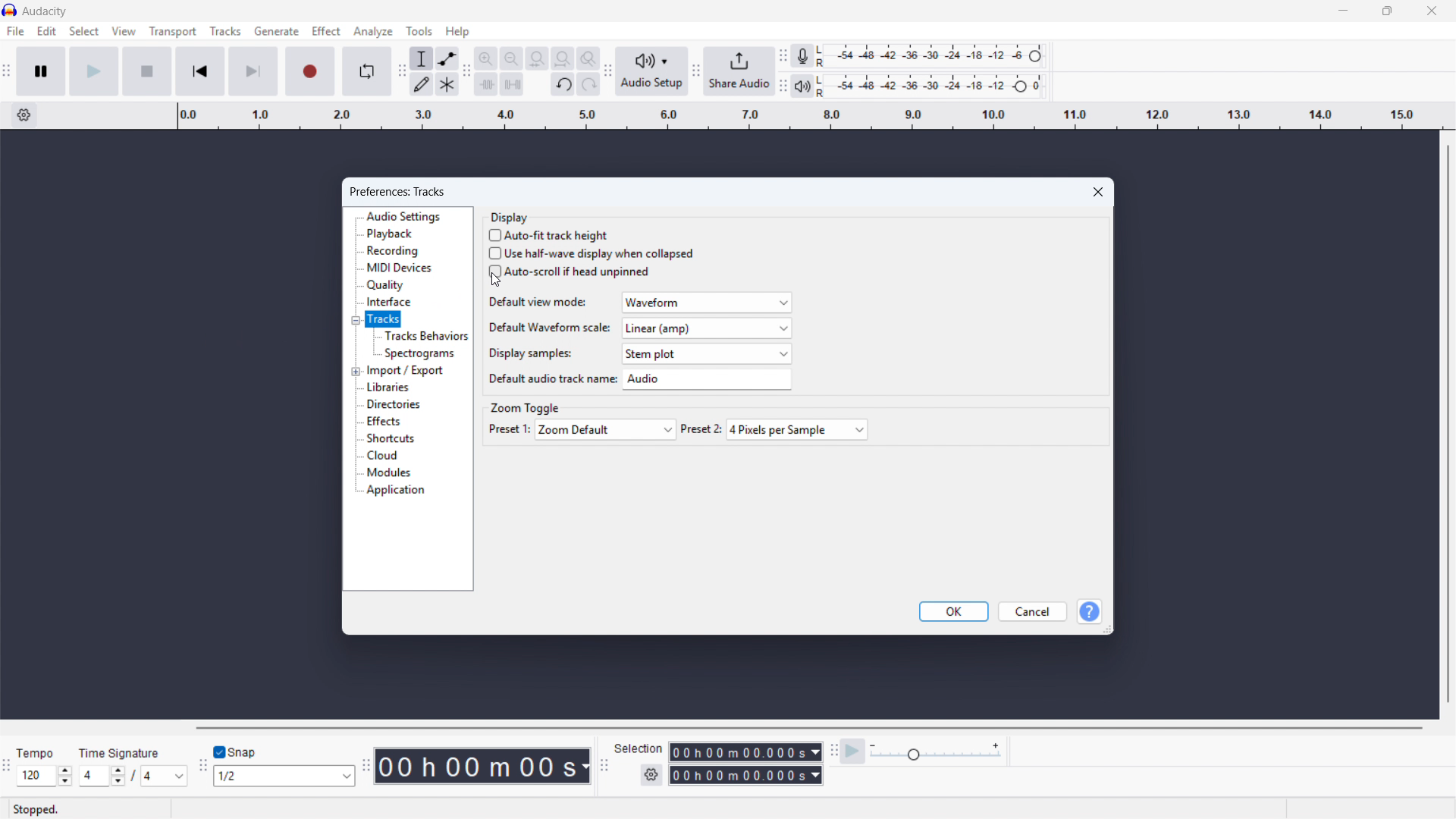 This screenshot has height=819, width=1456. Describe the element at coordinates (486, 83) in the screenshot. I see `trim audio outside selction` at that location.